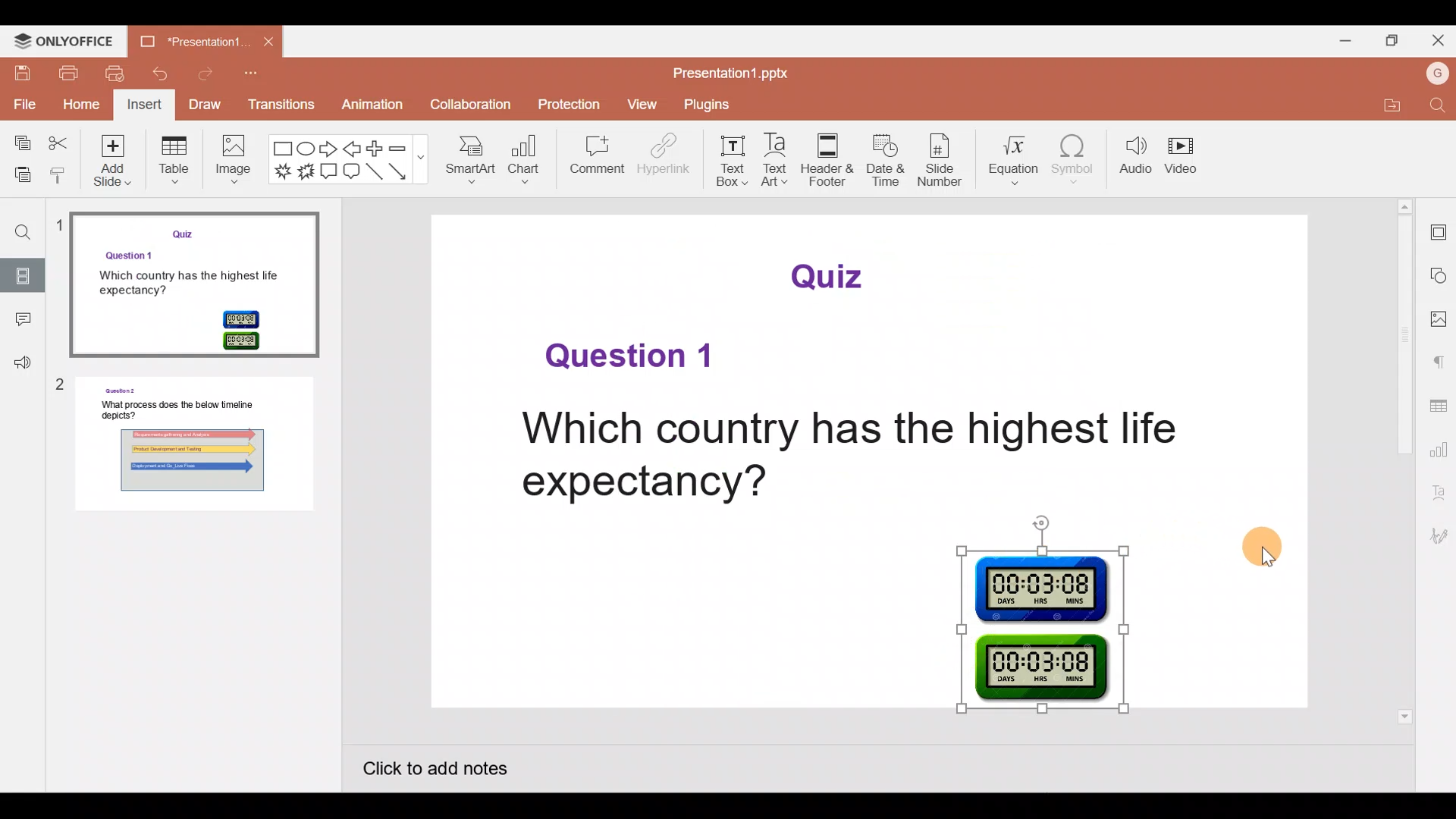  Describe the element at coordinates (1342, 39) in the screenshot. I see `Minimize` at that location.